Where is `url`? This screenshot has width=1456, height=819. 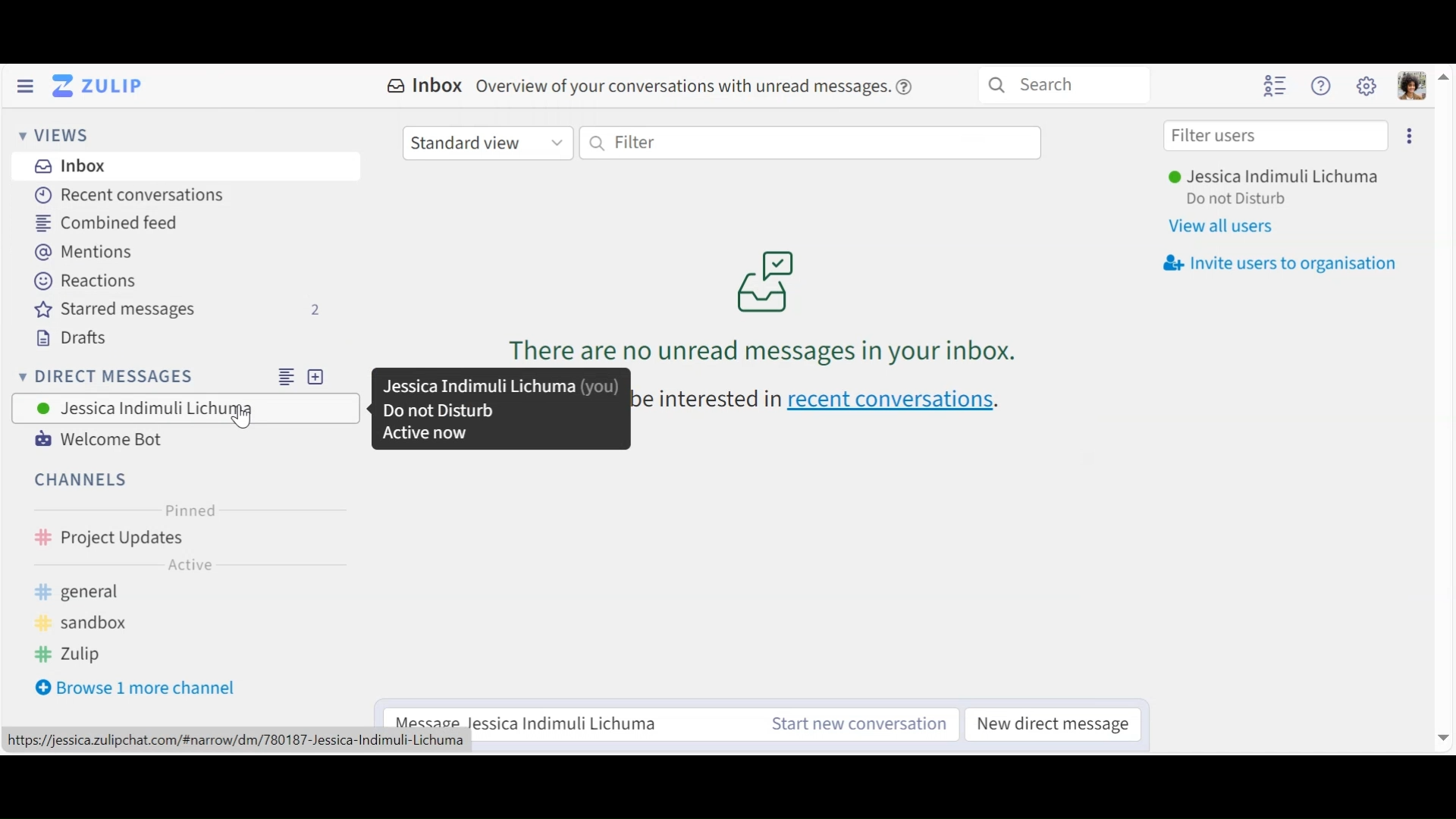
url is located at coordinates (243, 741).